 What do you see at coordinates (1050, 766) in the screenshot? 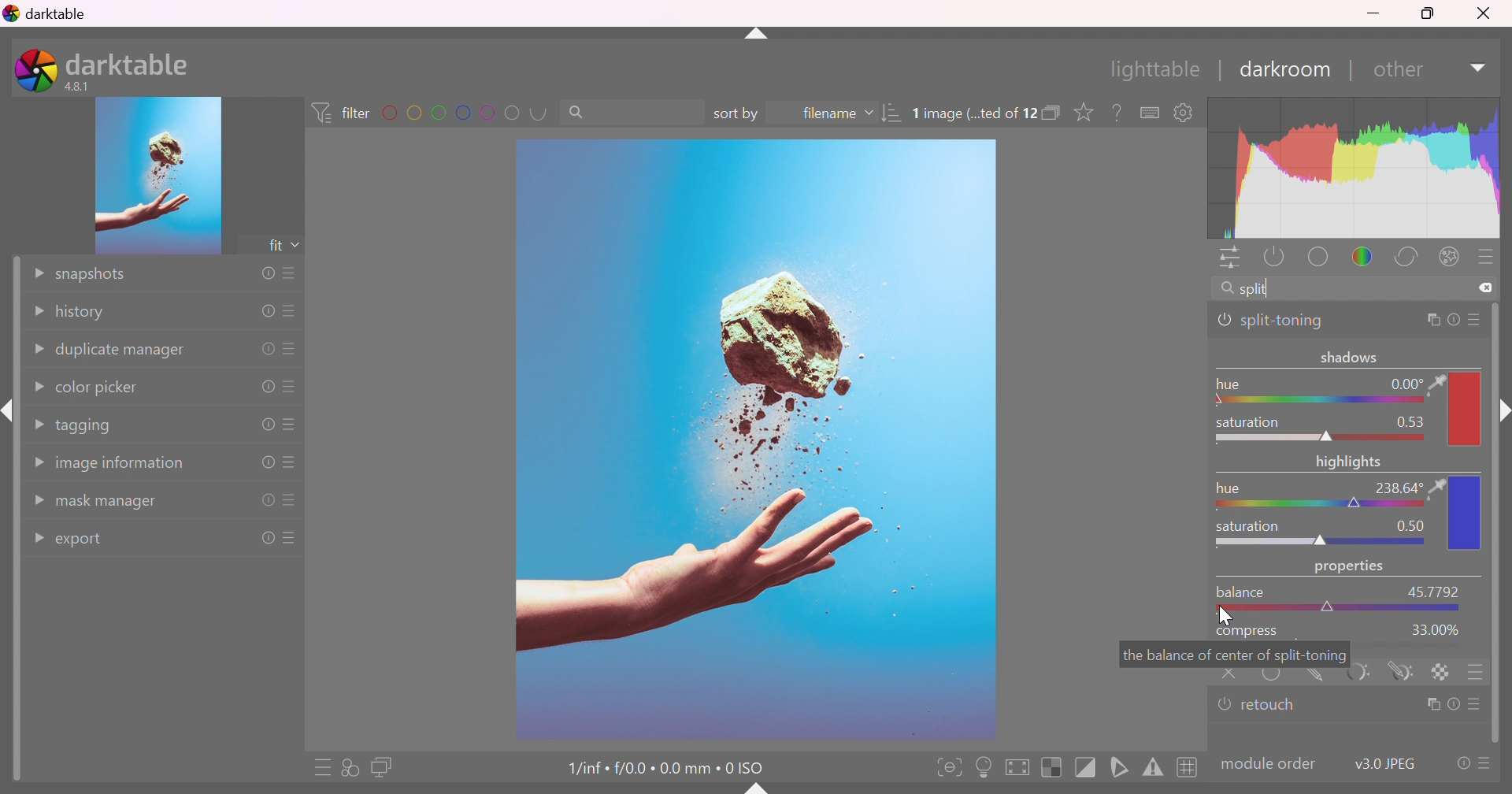
I see `toggle indication of raw overexposure` at bounding box center [1050, 766].